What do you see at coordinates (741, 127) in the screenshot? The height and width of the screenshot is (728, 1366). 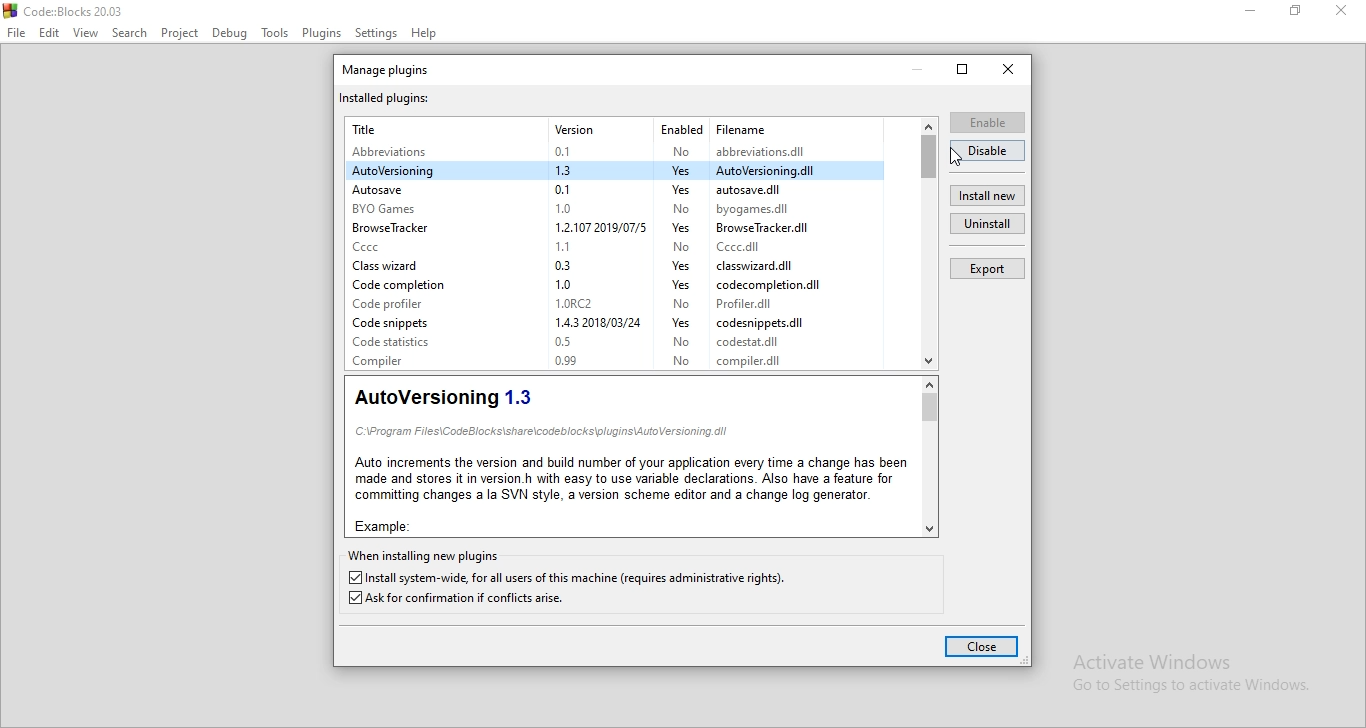 I see `Filename` at bounding box center [741, 127].